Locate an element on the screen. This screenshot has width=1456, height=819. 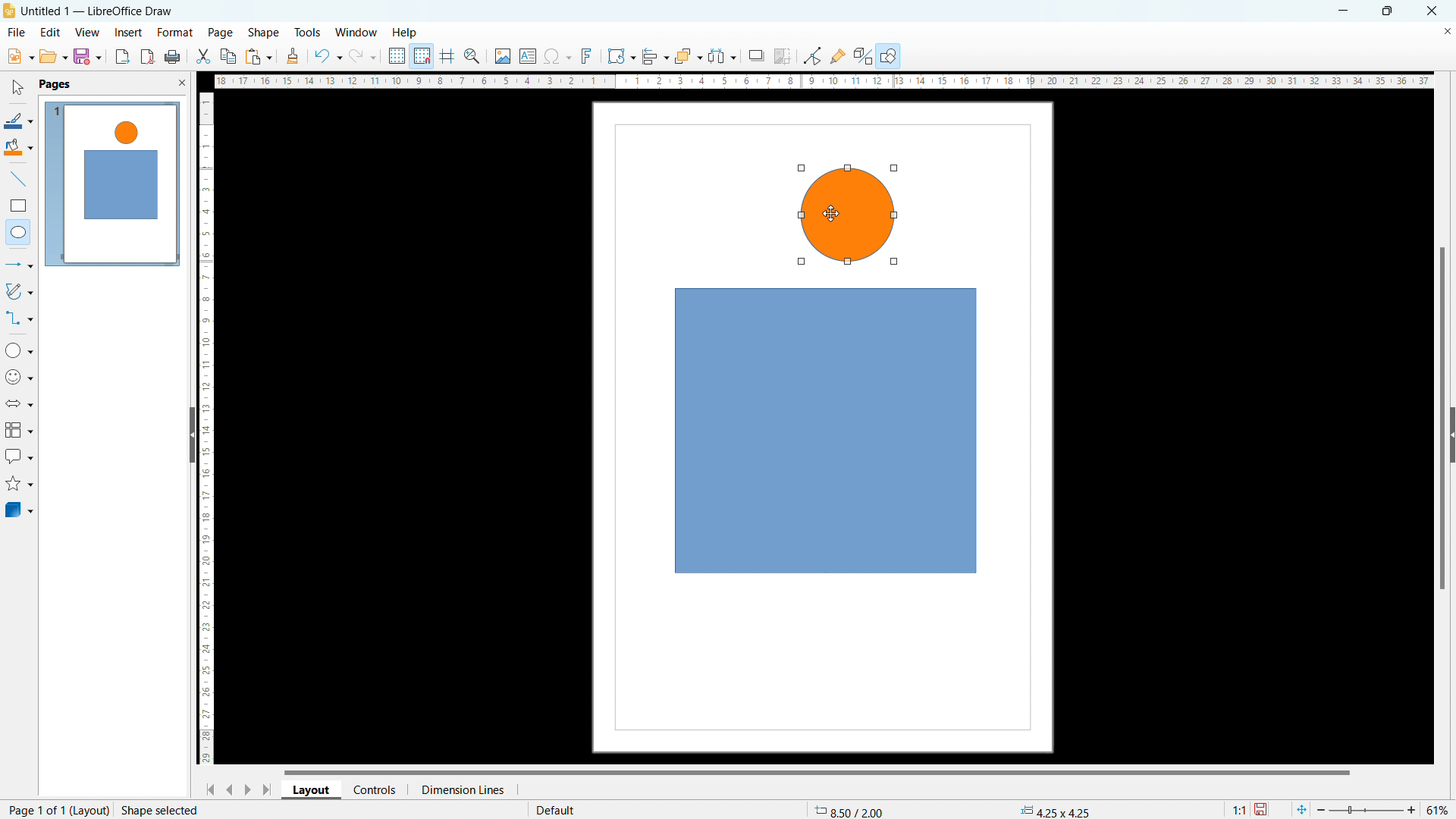
layout is located at coordinates (312, 790).